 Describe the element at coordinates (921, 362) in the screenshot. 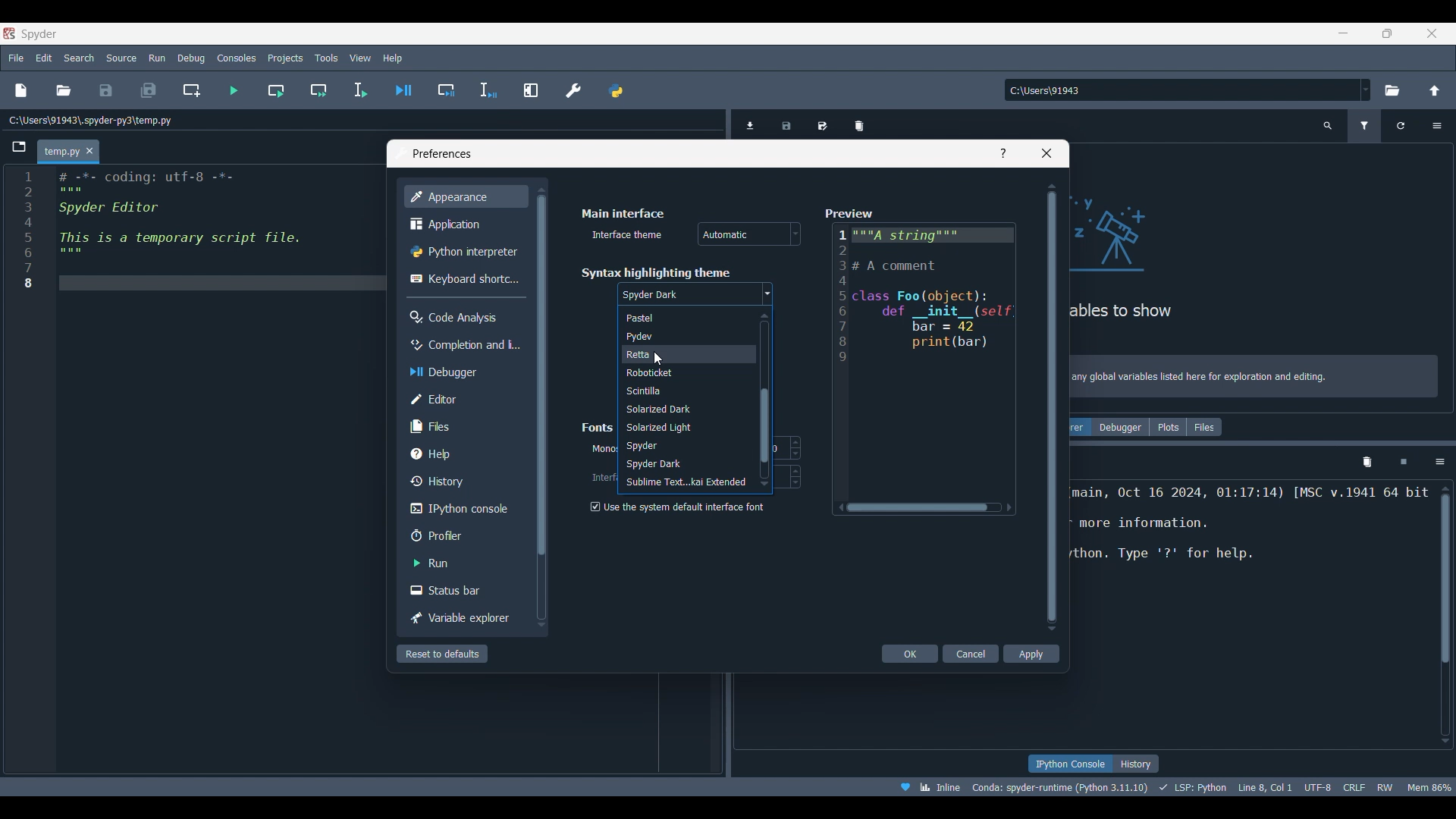

I see `Preview` at that location.